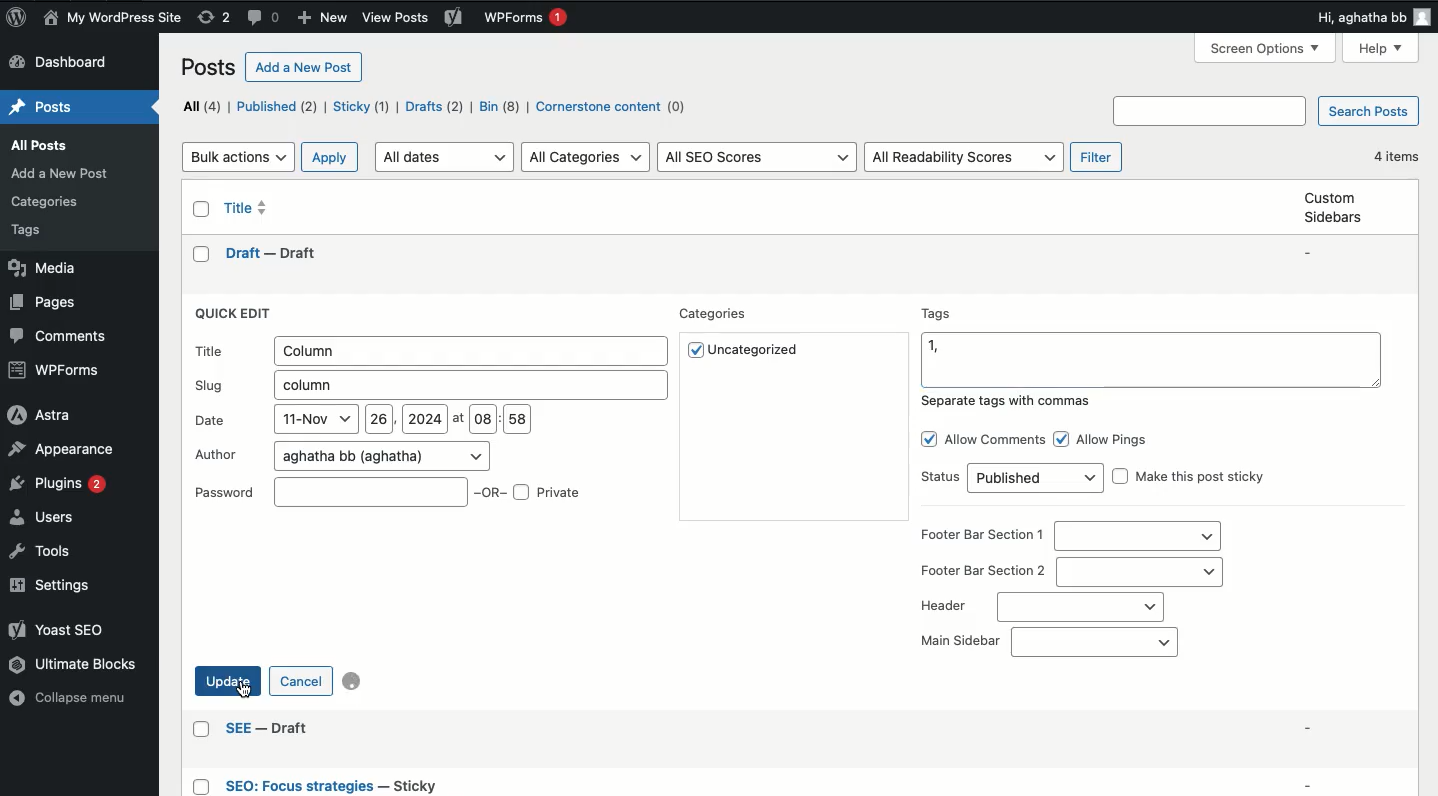 This screenshot has height=796, width=1438. What do you see at coordinates (341, 456) in the screenshot?
I see `Author` at bounding box center [341, 456].